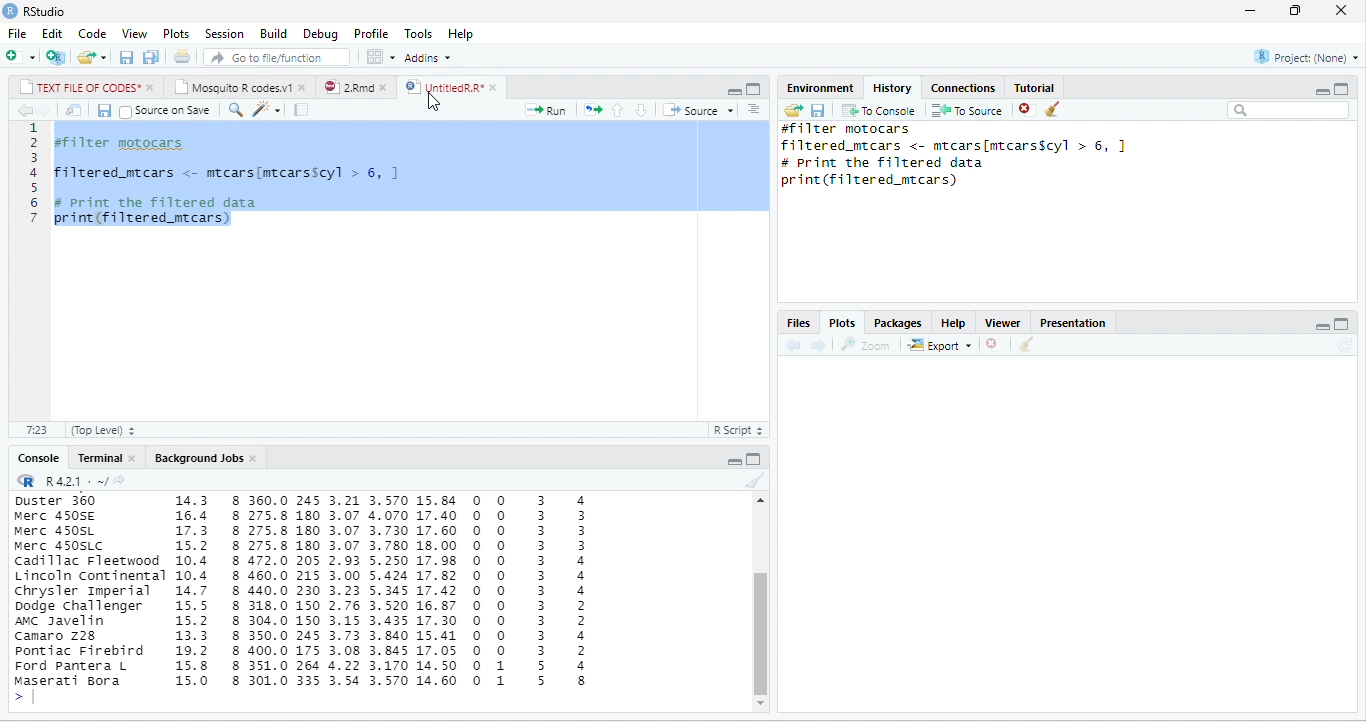 The image size is (1366, 722). Describe the element at coordinates (971, 158) in the screenshot. I see `# filter motocars filtered_mtcars <- mtcars[mtcarsscyl > 6, 1# print the filtered dataprint(filtered_mtcars)` at that location.